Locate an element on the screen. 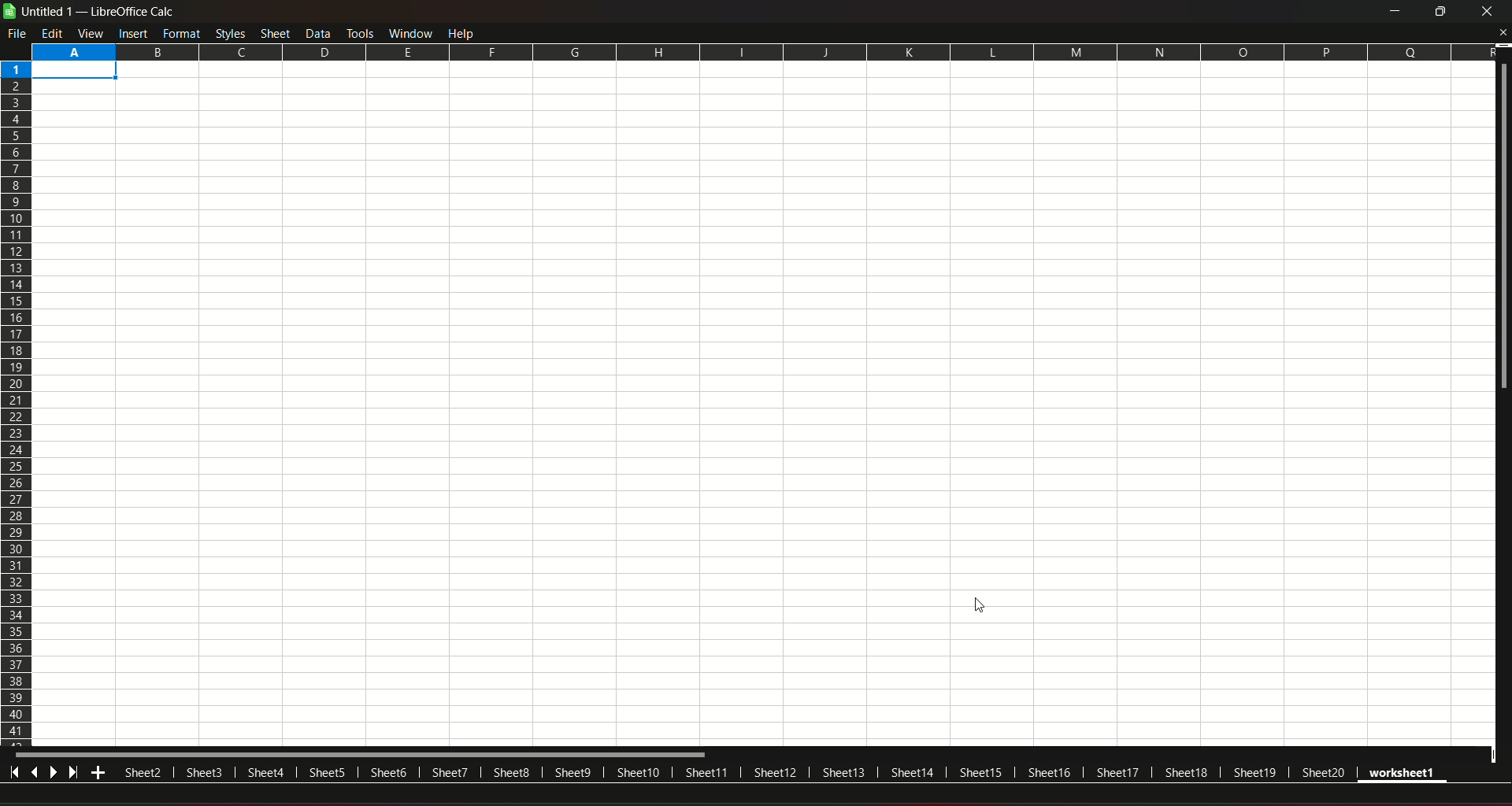  file is located at coordinates (19, 33).